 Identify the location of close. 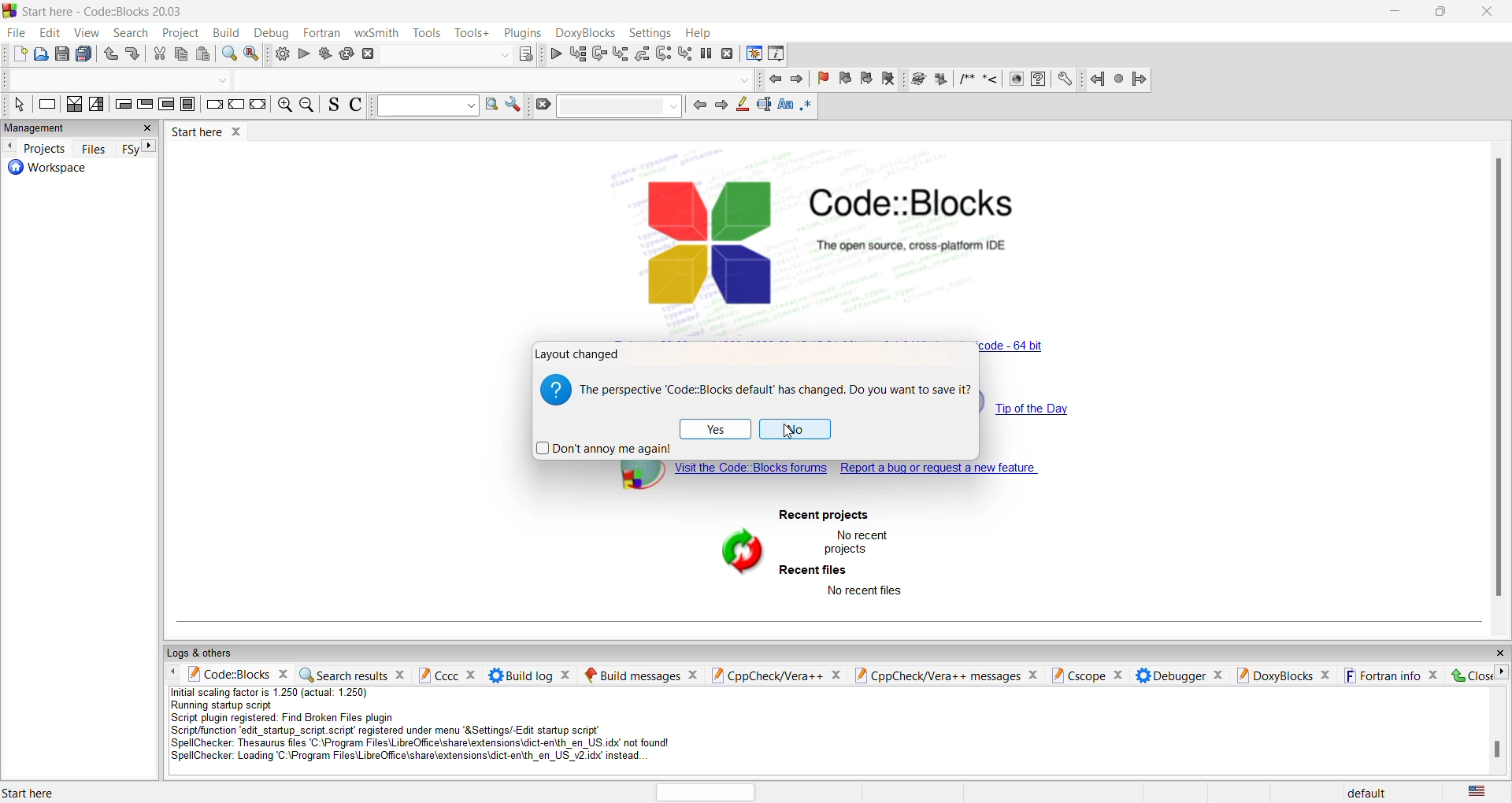
(839, 675).